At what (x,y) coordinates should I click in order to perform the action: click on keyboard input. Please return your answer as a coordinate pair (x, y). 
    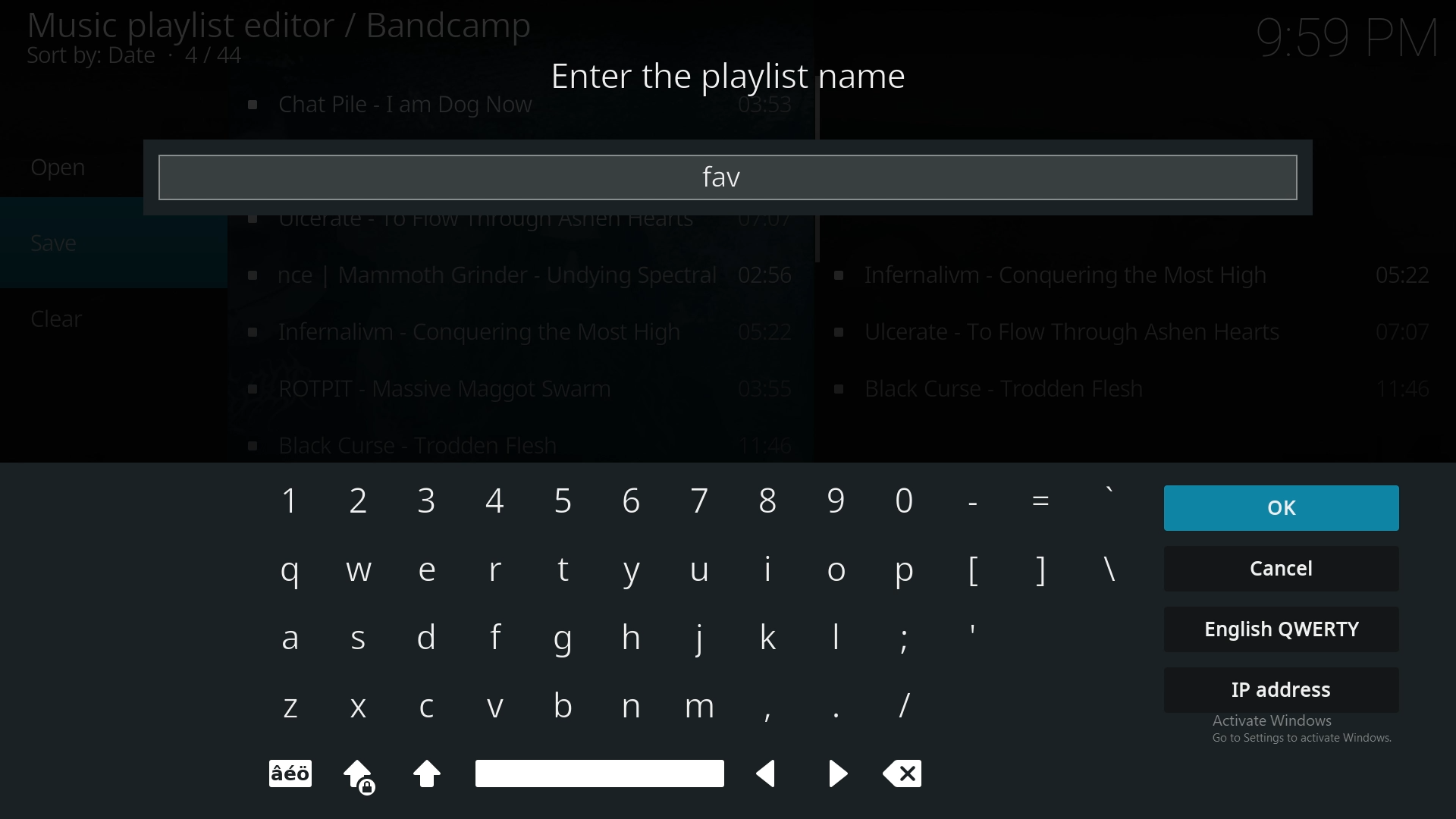
    Looking at the image, I should click on (698, 498).